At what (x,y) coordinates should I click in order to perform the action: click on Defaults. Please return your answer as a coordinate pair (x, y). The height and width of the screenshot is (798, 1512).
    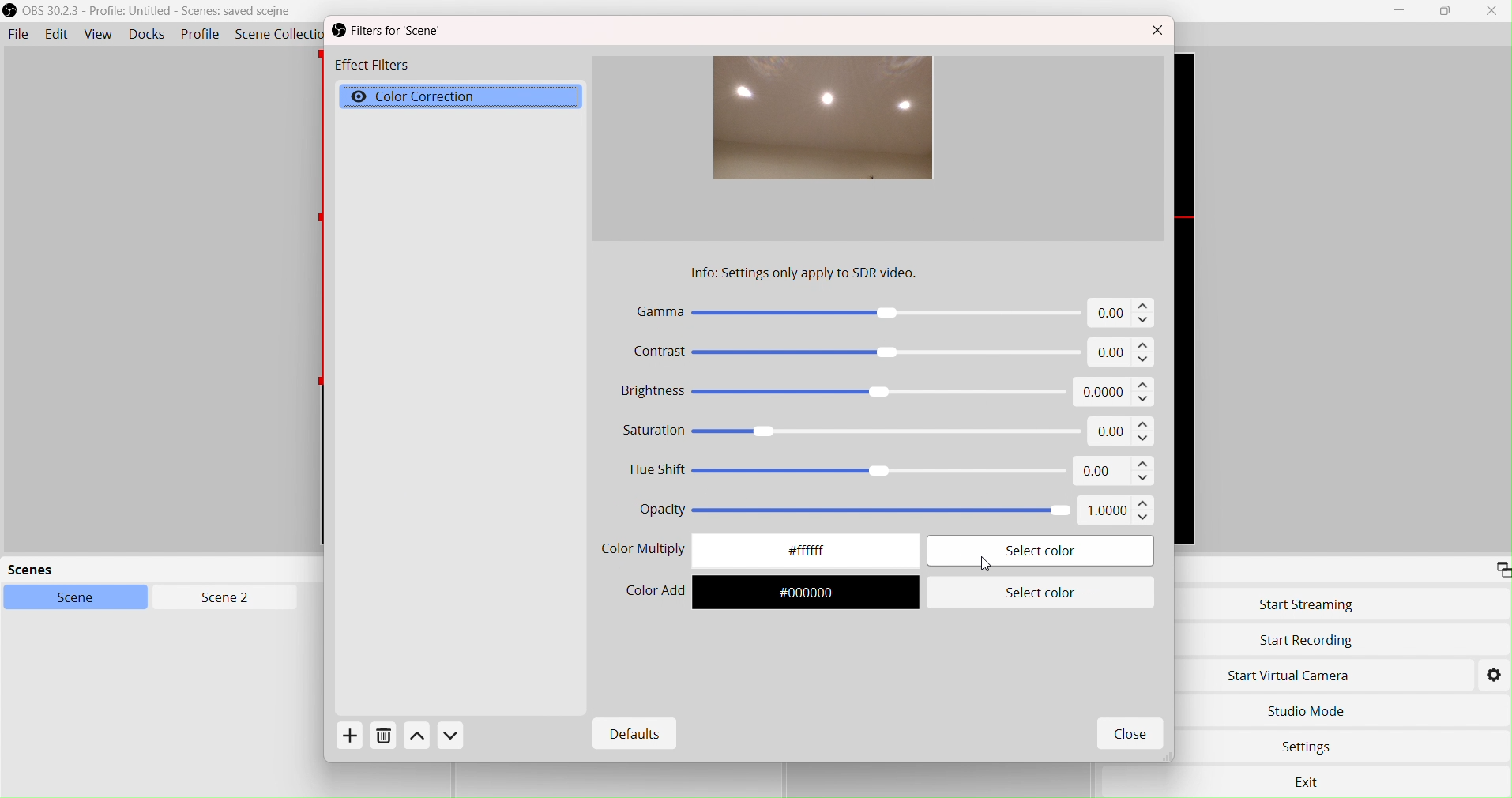
    Looking at the image, I should click on (630, 735).